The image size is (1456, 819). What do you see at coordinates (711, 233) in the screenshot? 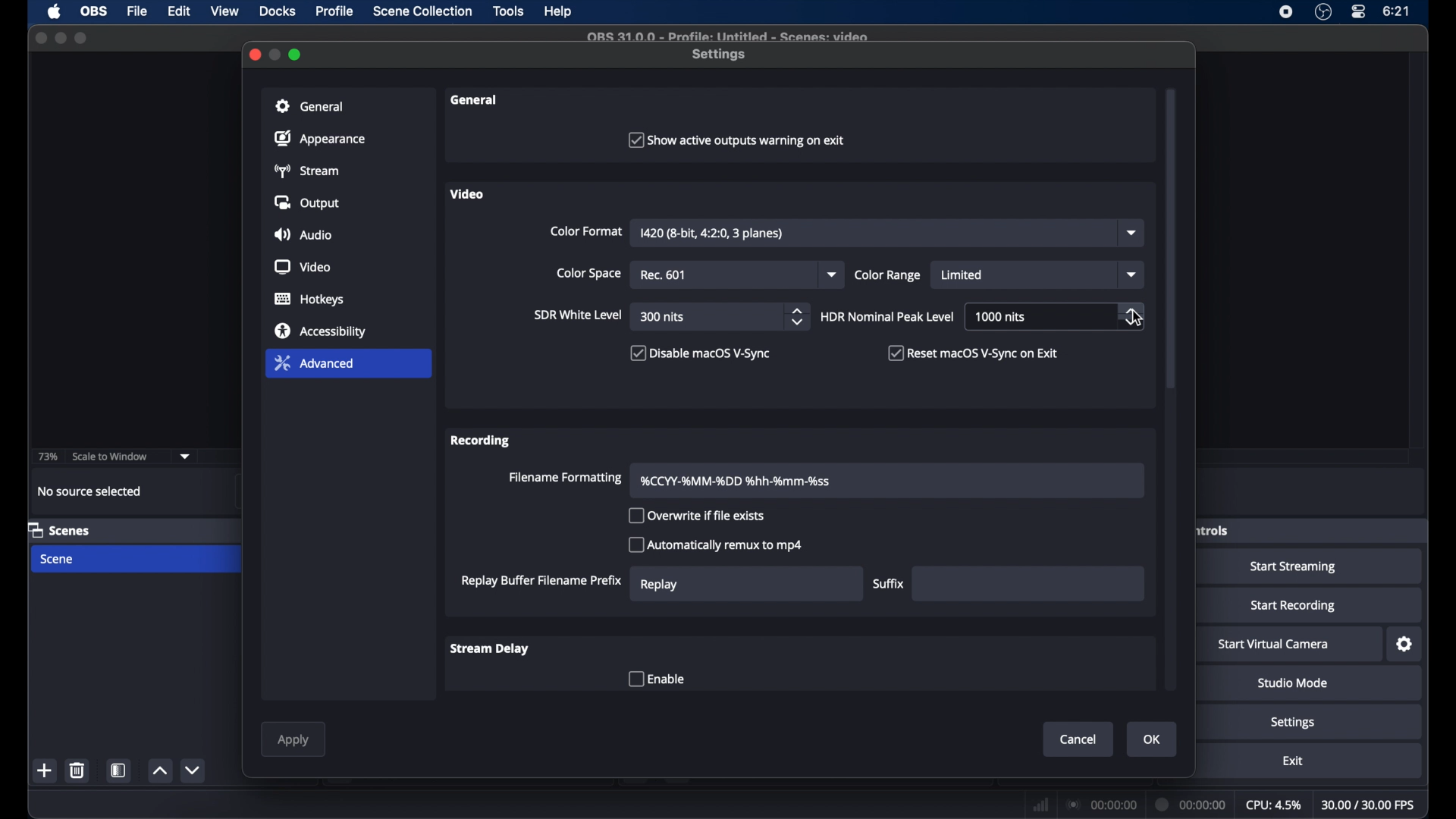
I see `I420` at bounding box center [711, 233].